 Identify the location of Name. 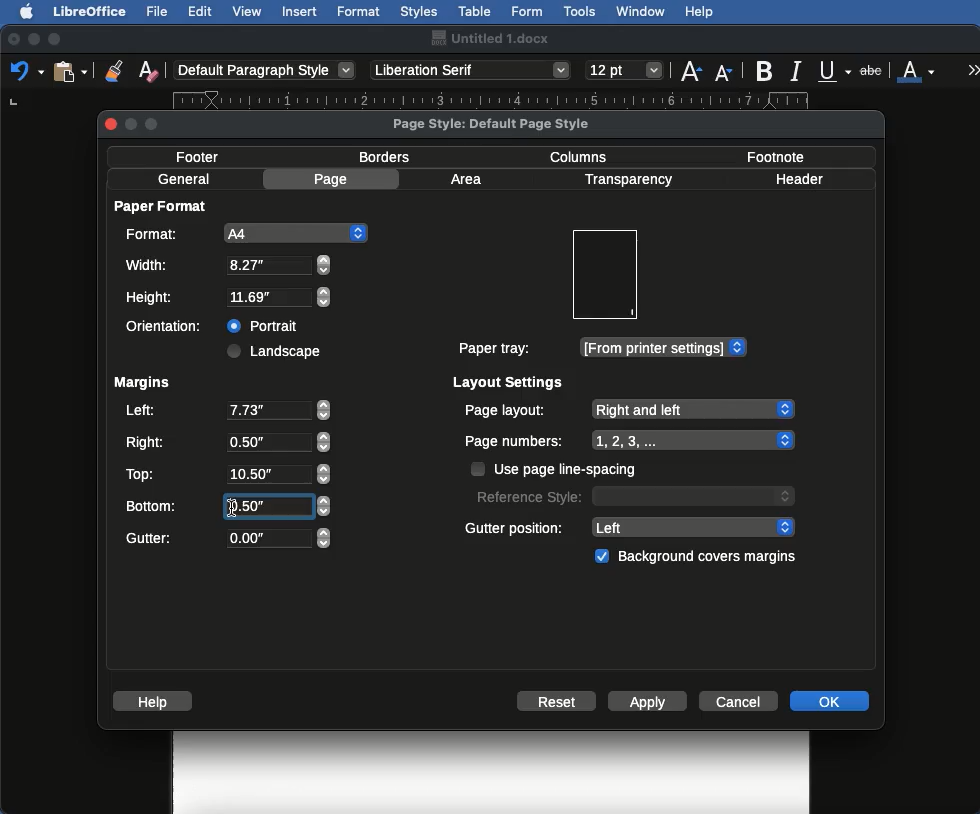
(489, 38).